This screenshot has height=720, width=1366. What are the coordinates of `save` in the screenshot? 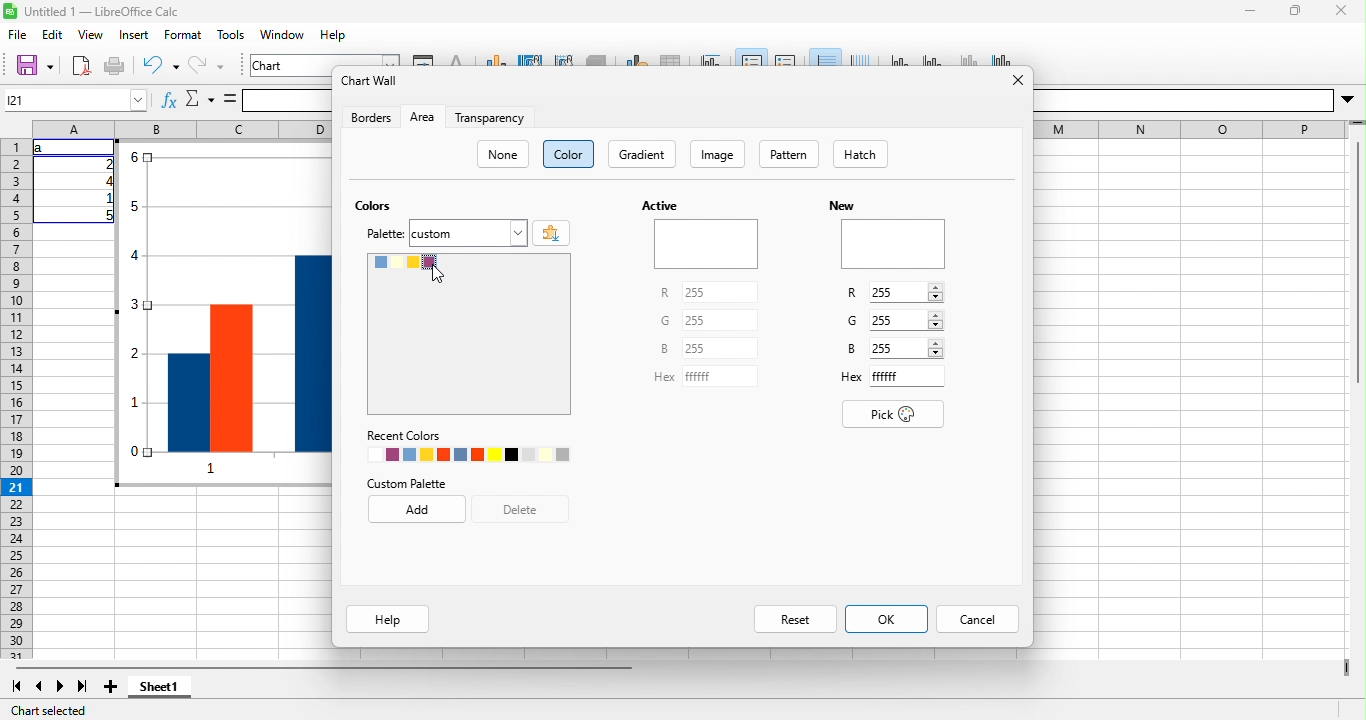 It's located at (34, 66).